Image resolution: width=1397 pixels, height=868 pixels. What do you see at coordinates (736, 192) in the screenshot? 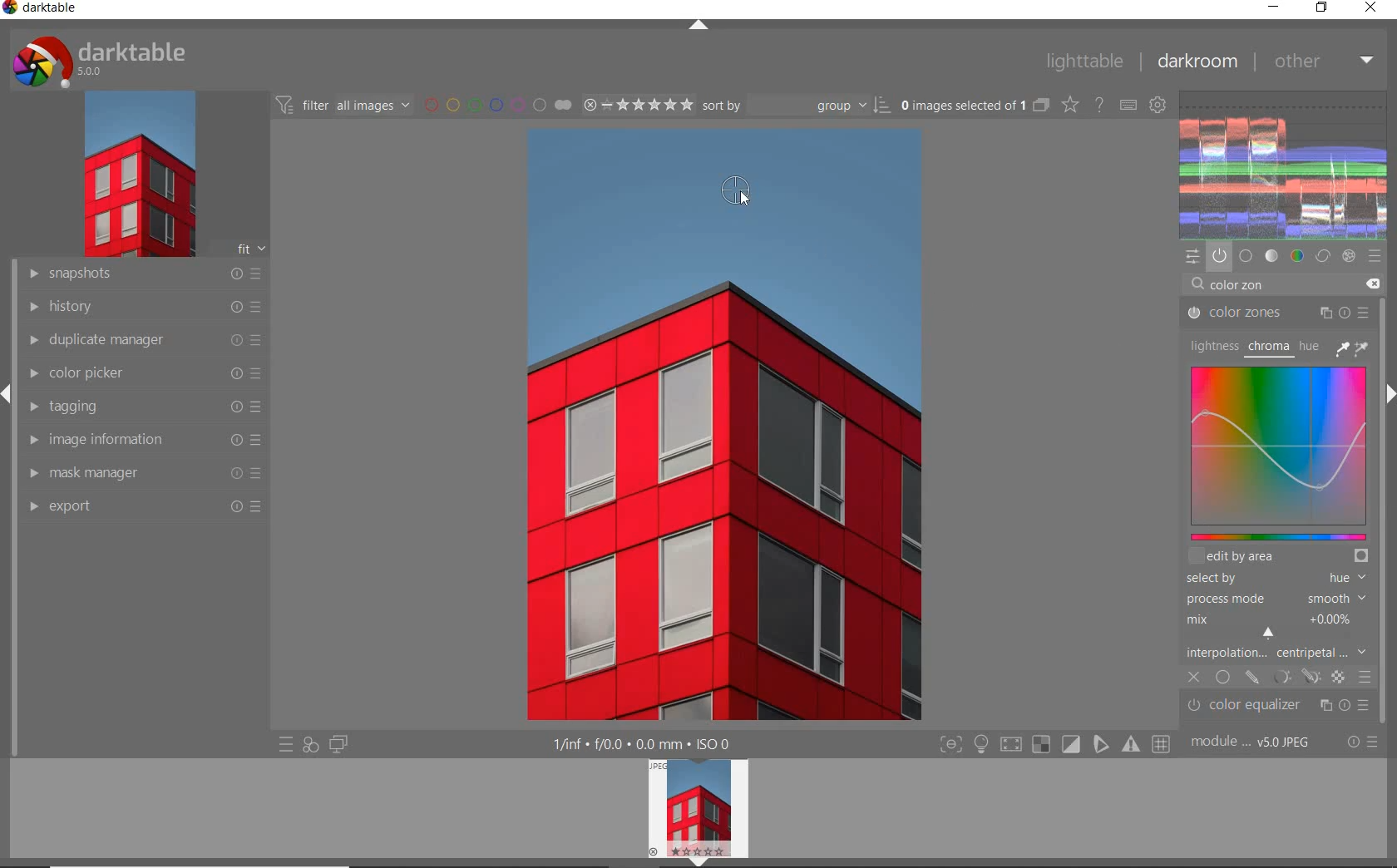
I see `COLOR PICKER TOOL` at bounding box center [736, 192].